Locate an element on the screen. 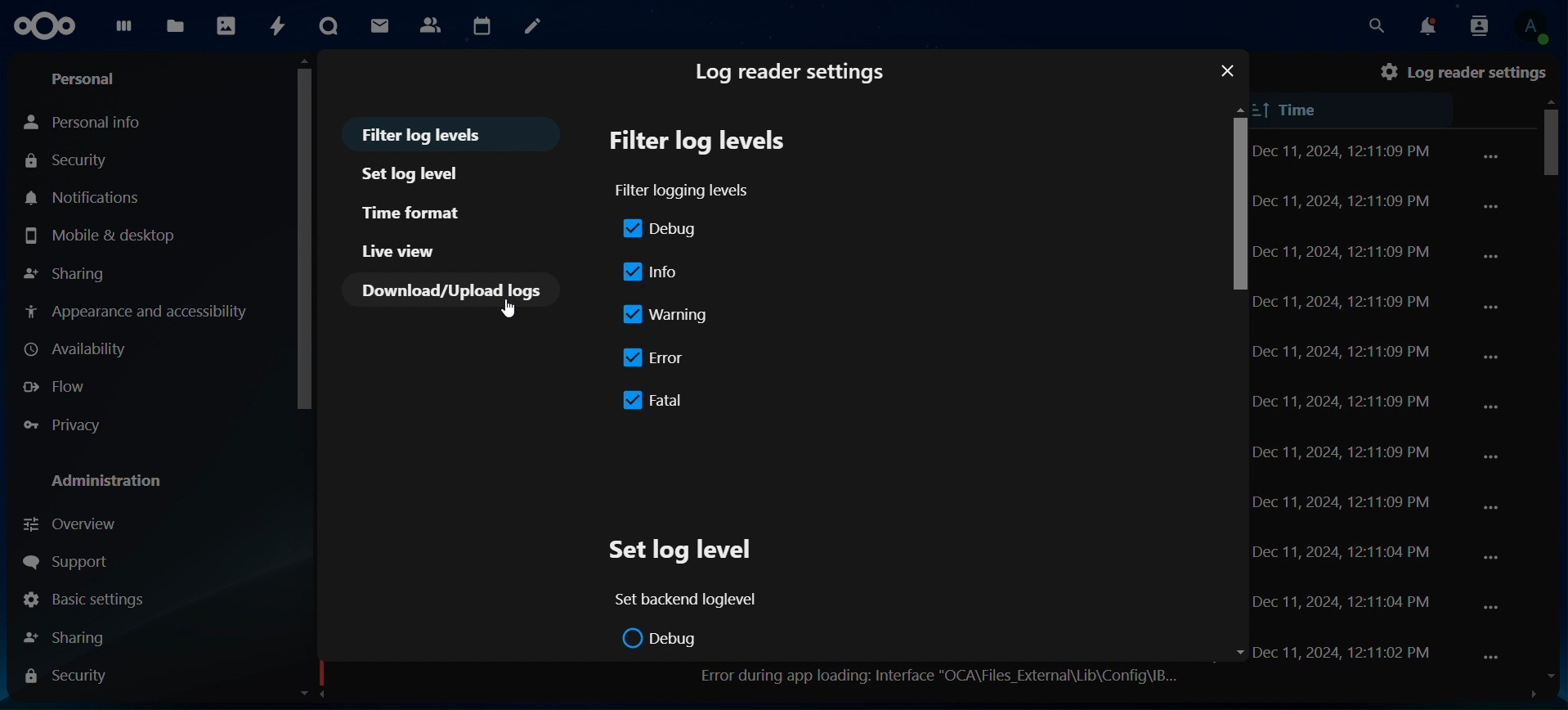  info is located at coordinates (656, 272).